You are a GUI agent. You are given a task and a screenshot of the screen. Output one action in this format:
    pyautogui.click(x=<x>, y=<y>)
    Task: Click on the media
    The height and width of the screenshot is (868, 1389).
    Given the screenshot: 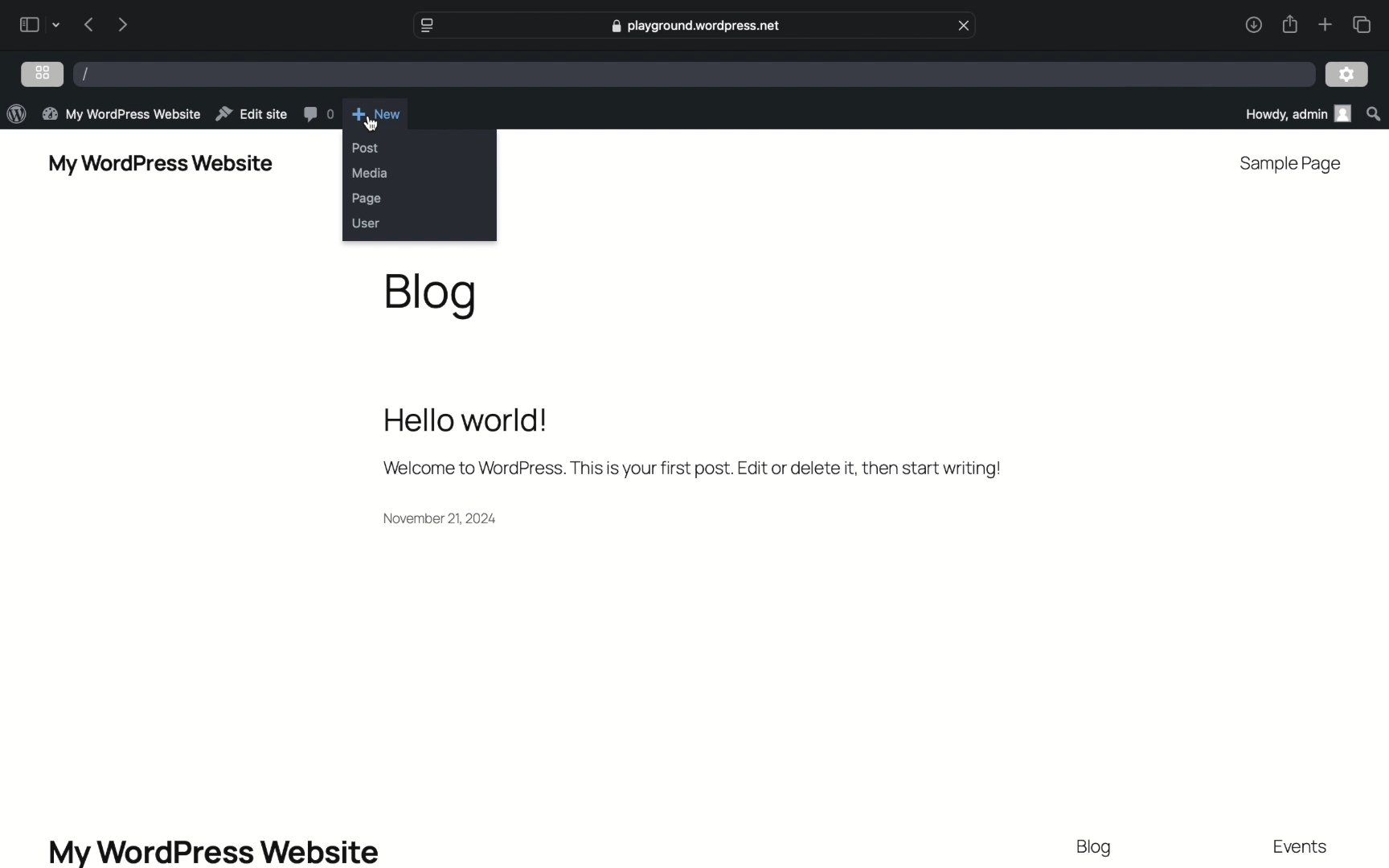 What is the action you would take?
    pyautogui.click(x=371, y=173)
    